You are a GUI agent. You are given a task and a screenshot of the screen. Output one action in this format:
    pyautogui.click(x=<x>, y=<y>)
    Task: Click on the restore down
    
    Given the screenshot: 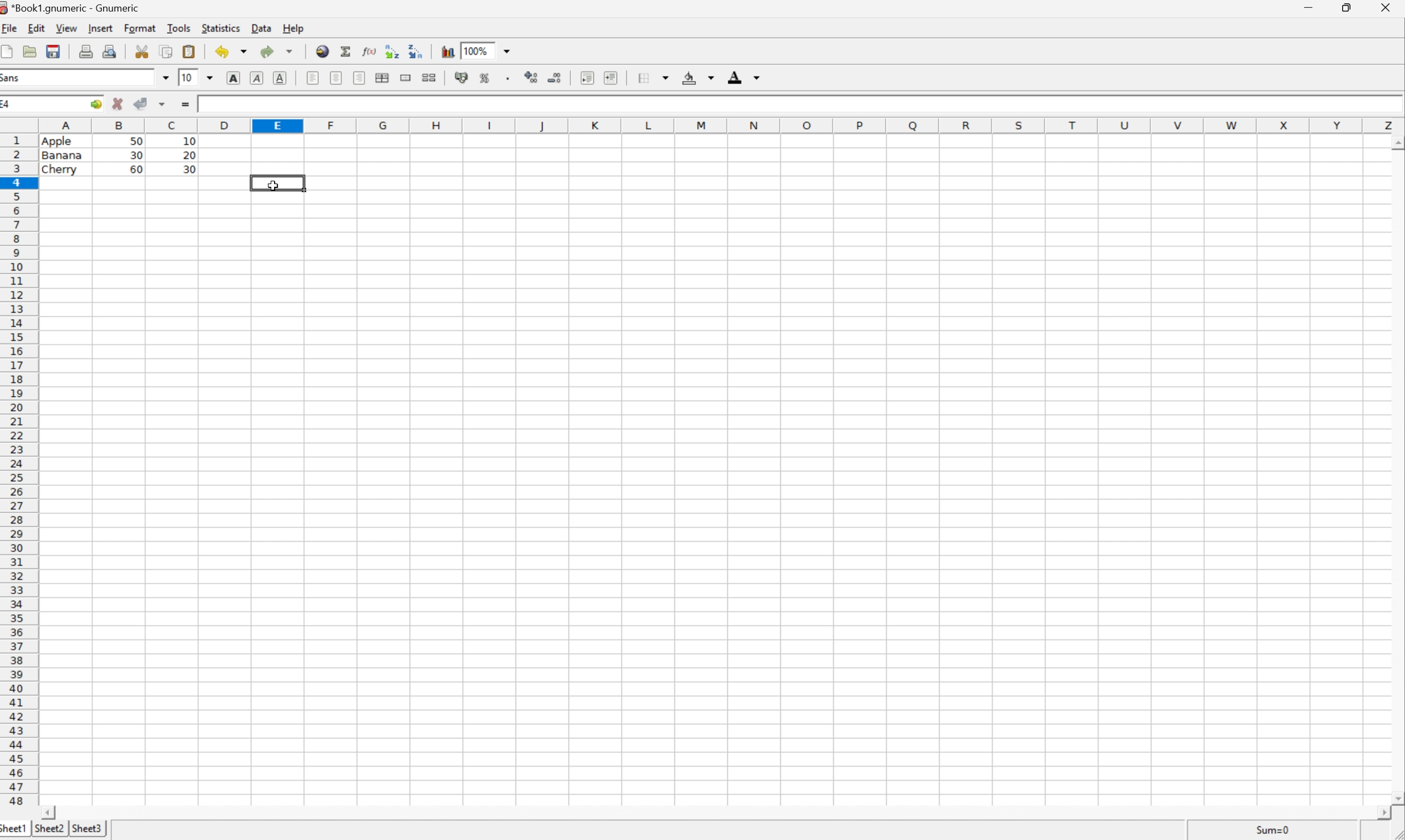 What is the action you would take?
    pyautogui.click(x=1350, y=7)
    